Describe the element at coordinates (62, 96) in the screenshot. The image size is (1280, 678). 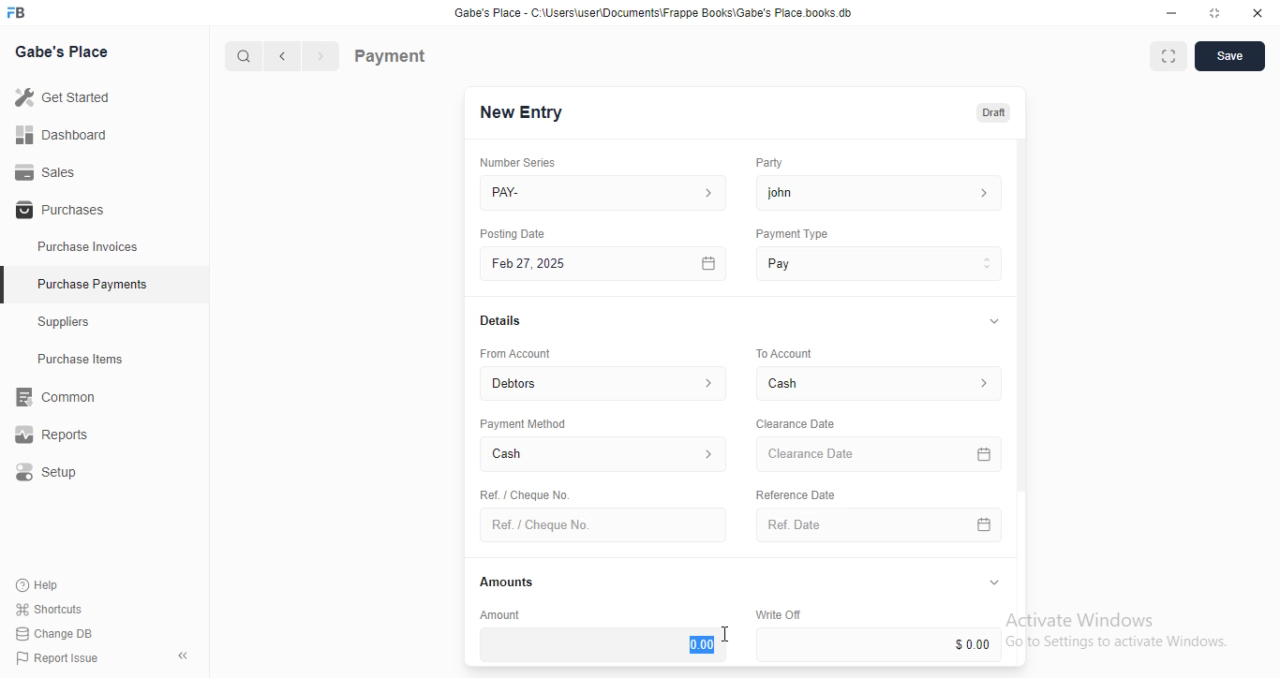
I see `Get Started` at that location.